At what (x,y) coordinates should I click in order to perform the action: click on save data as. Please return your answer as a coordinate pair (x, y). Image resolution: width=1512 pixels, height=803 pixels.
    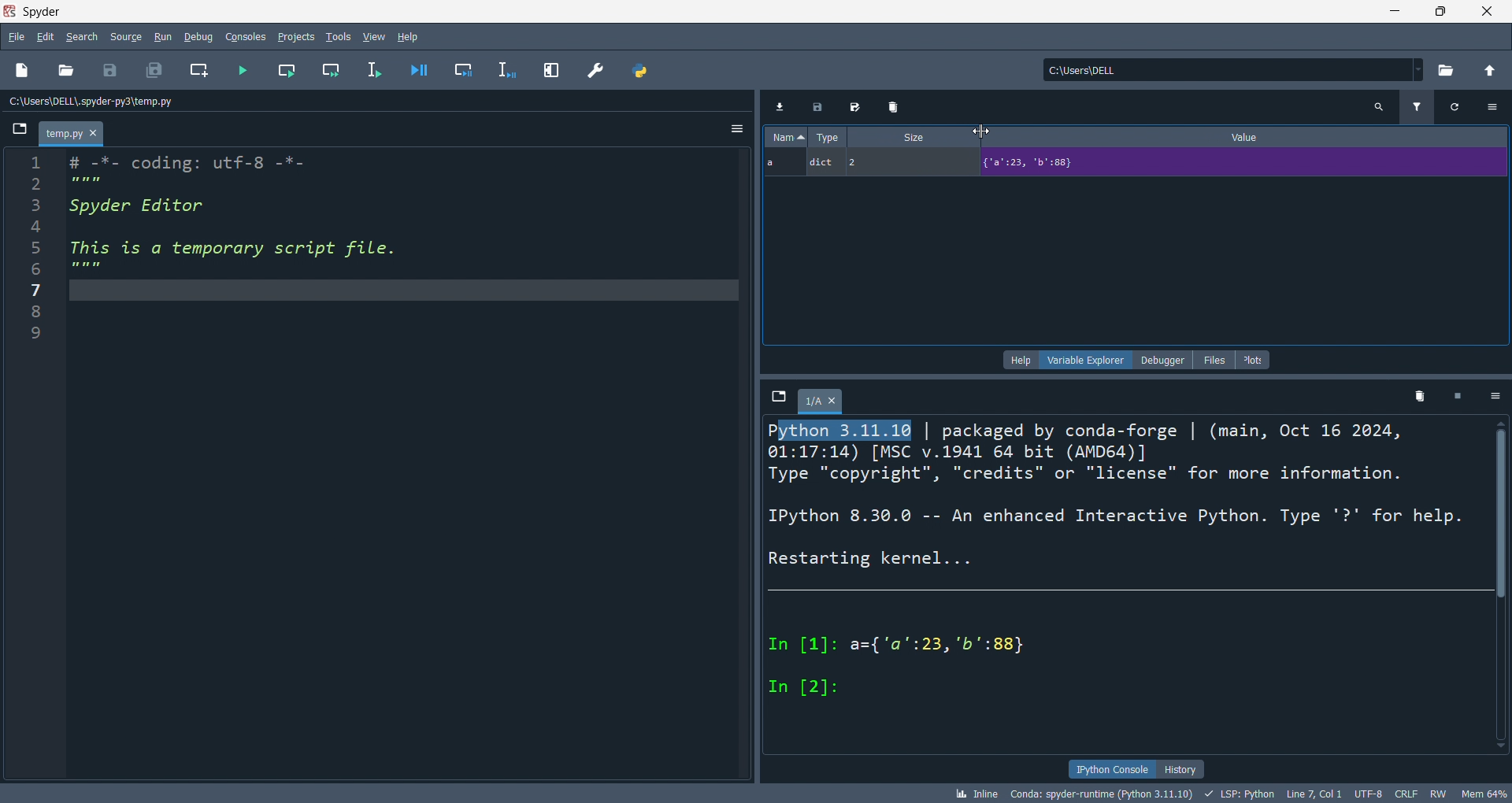
    Looking at the image, I should click on (850, 107).